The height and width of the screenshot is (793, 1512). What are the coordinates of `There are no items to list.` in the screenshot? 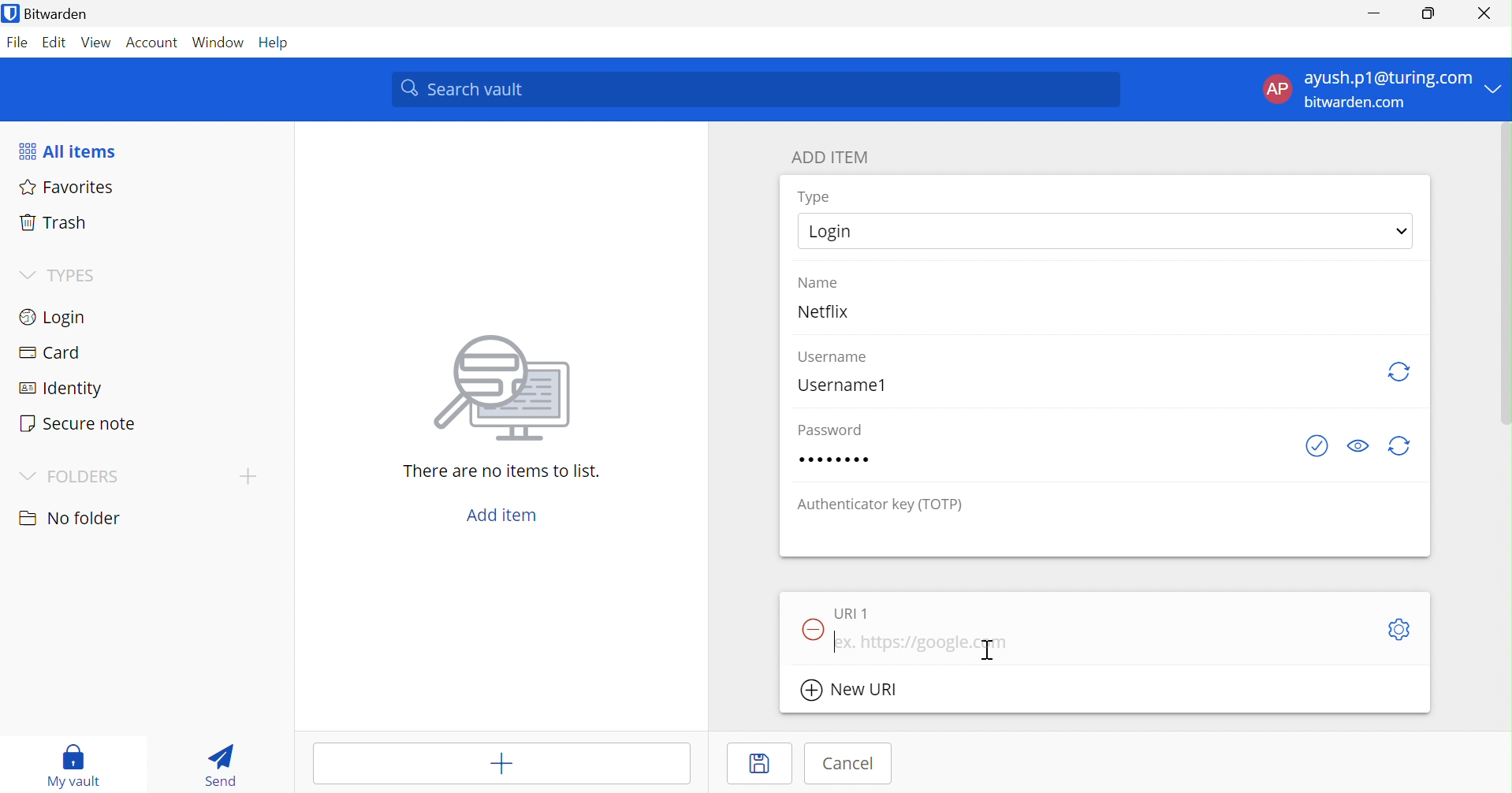 It's located at (498, 471).